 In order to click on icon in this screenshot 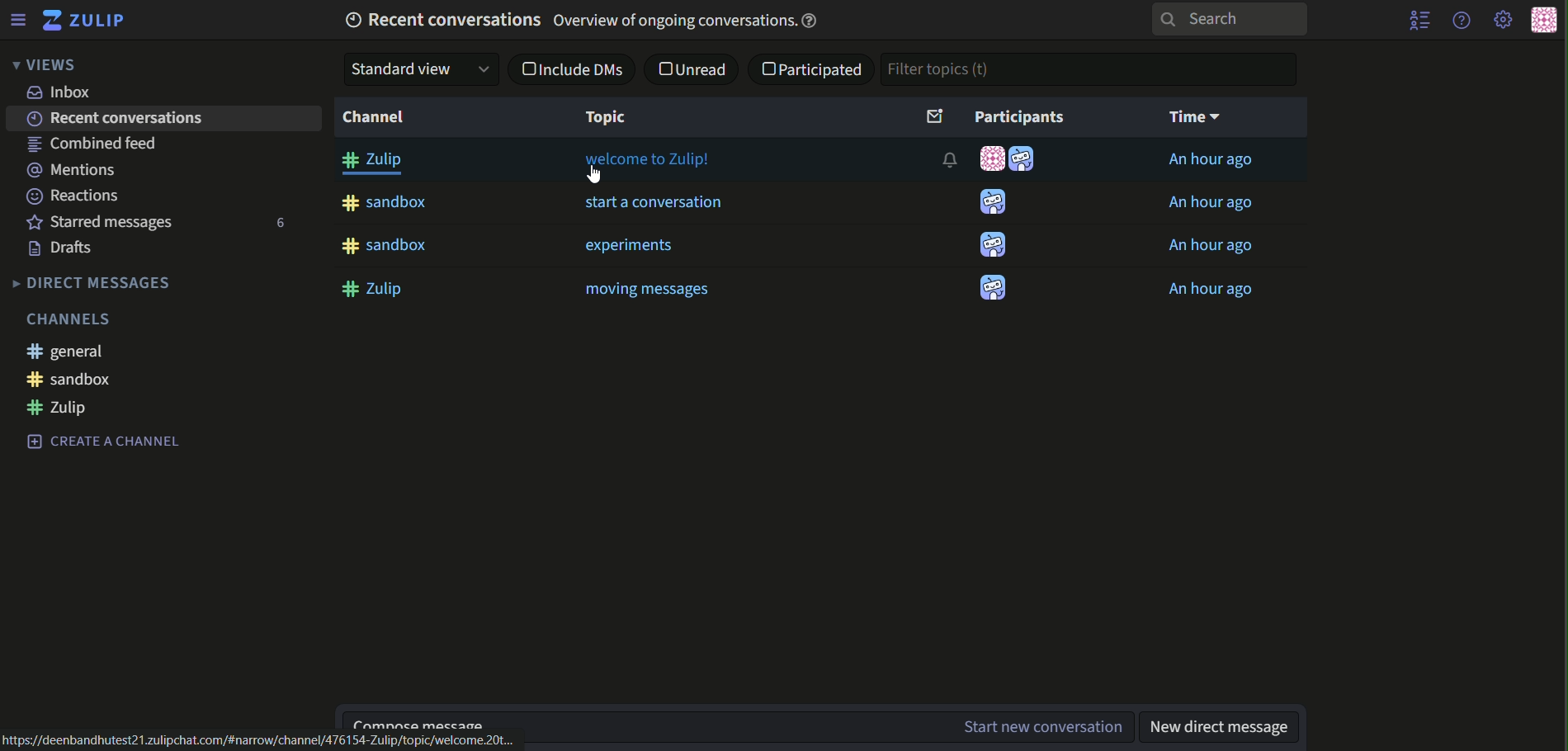, I will do `click(992, 203)`.